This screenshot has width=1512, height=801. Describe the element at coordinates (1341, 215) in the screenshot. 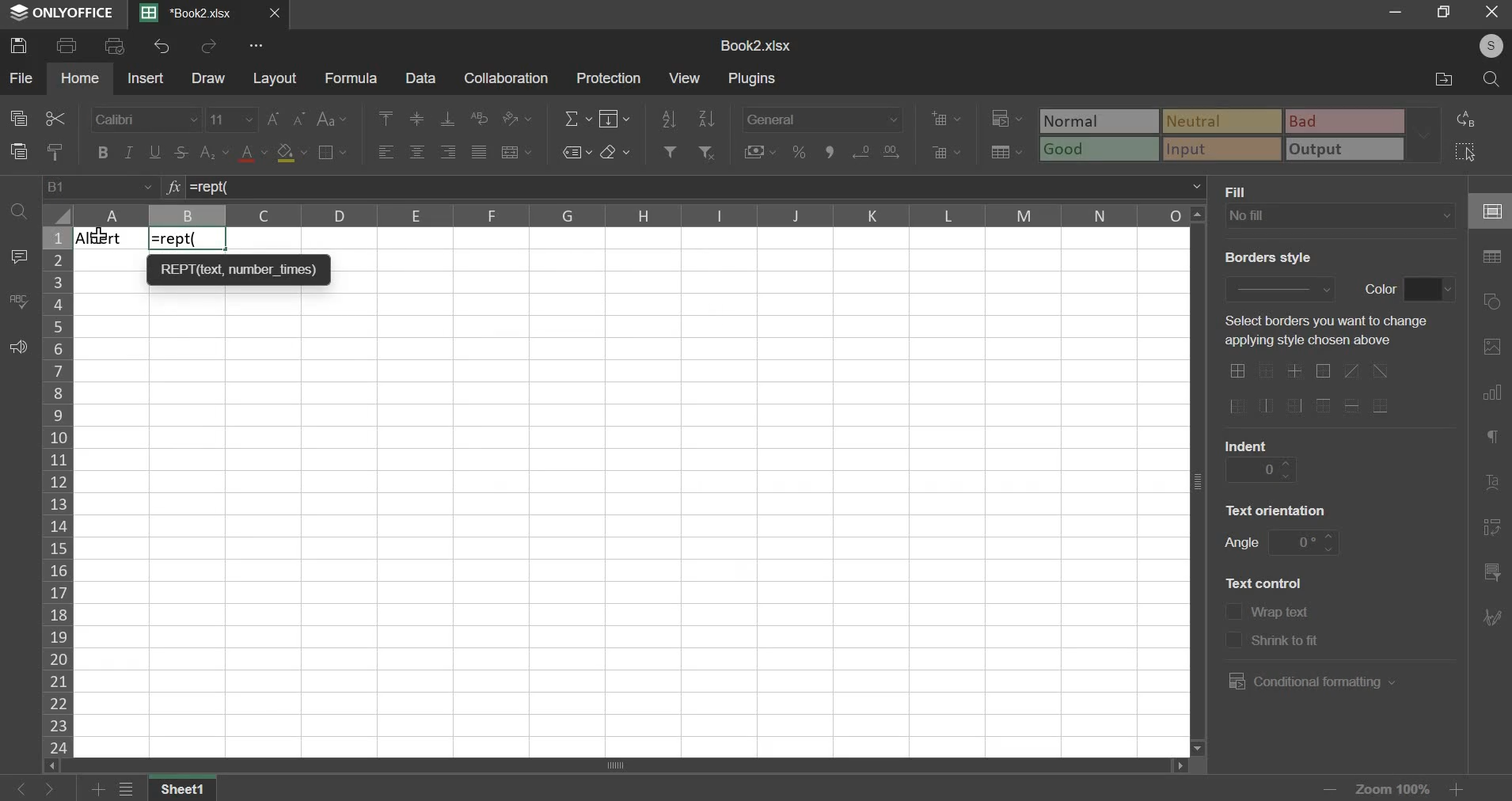

I see `background fill` at that location.